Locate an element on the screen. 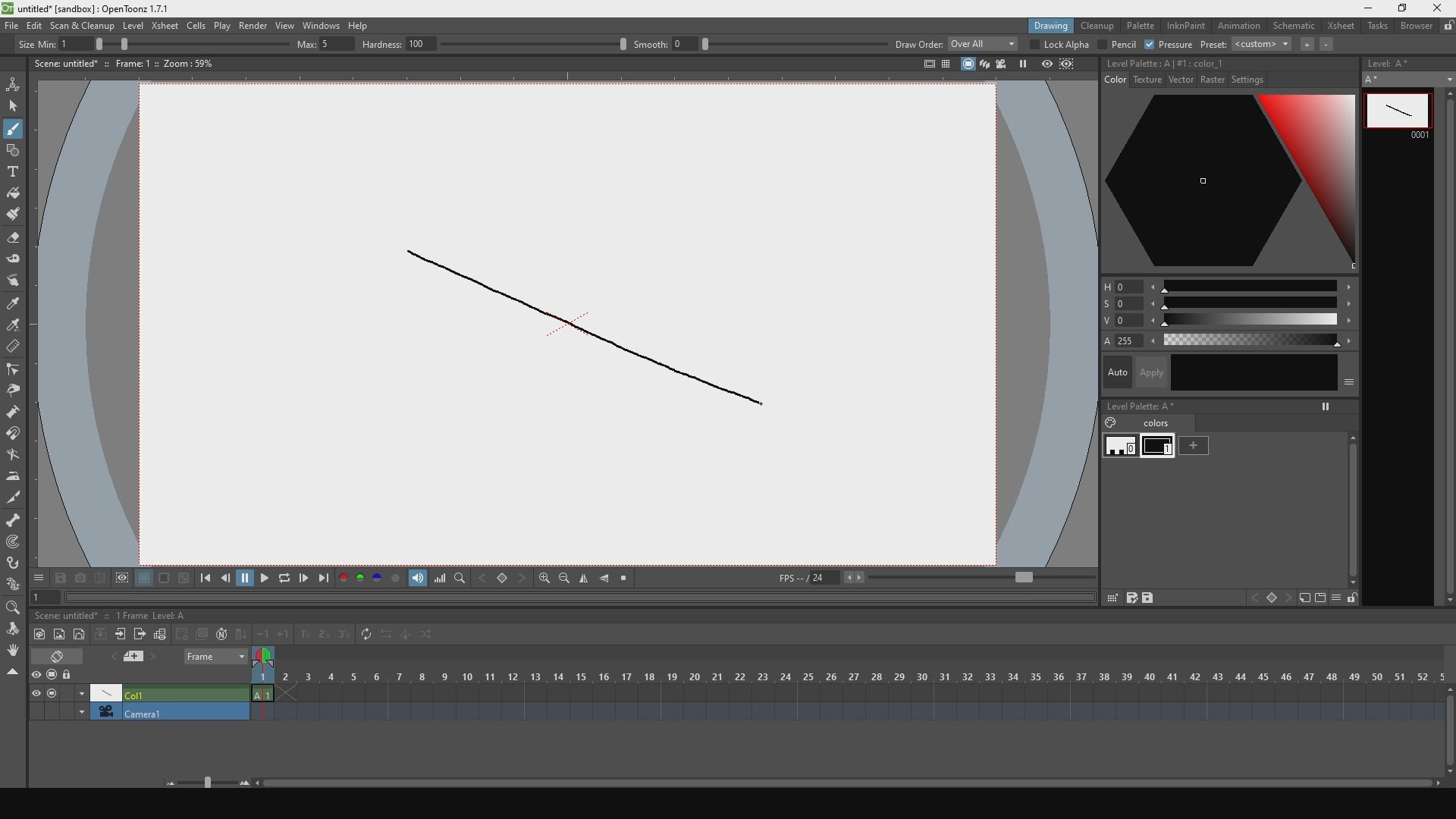 The image size is (1456, 819). black and white background is located at coordinates (182, 580).